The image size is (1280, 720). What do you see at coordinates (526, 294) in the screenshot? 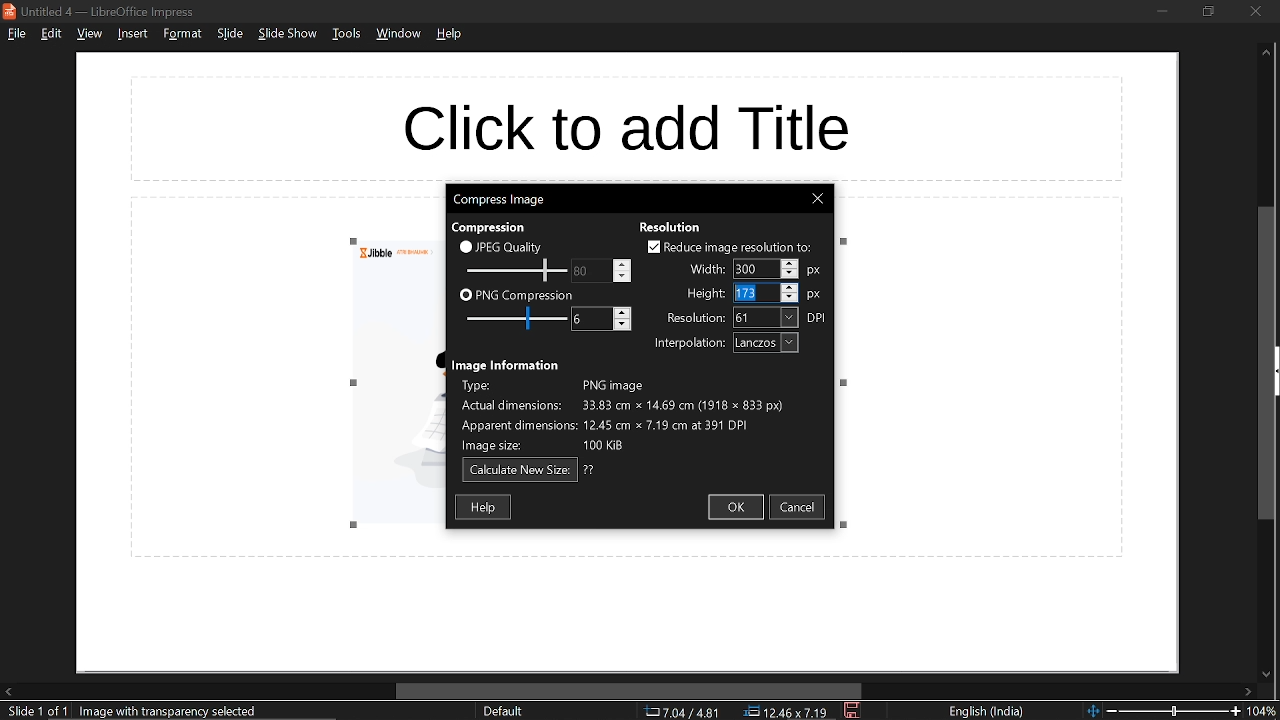
I see `PNG compression` at bounding box center [526, 294].